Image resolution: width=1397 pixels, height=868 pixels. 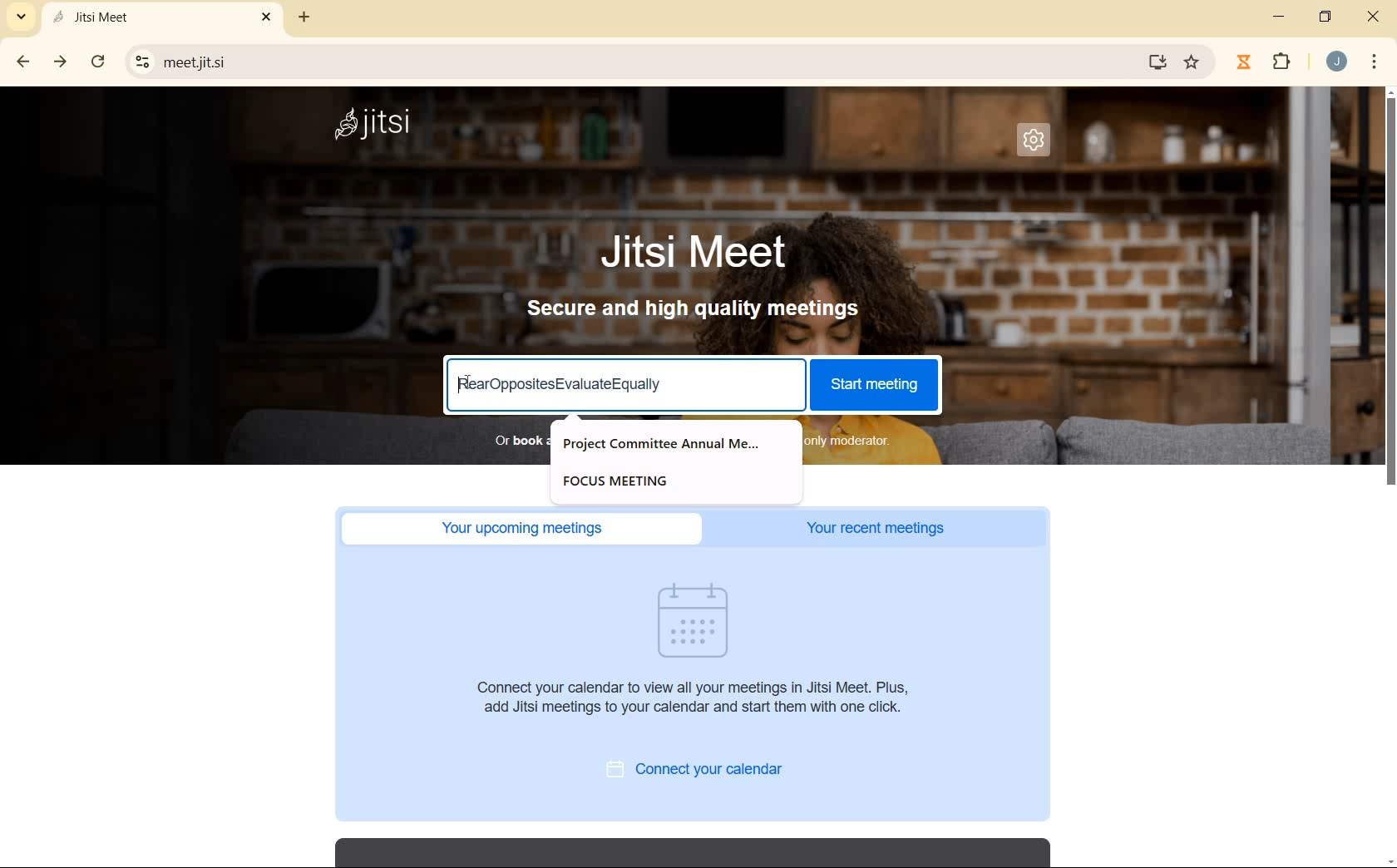 I want to click on back, so click(x=19, y=62).